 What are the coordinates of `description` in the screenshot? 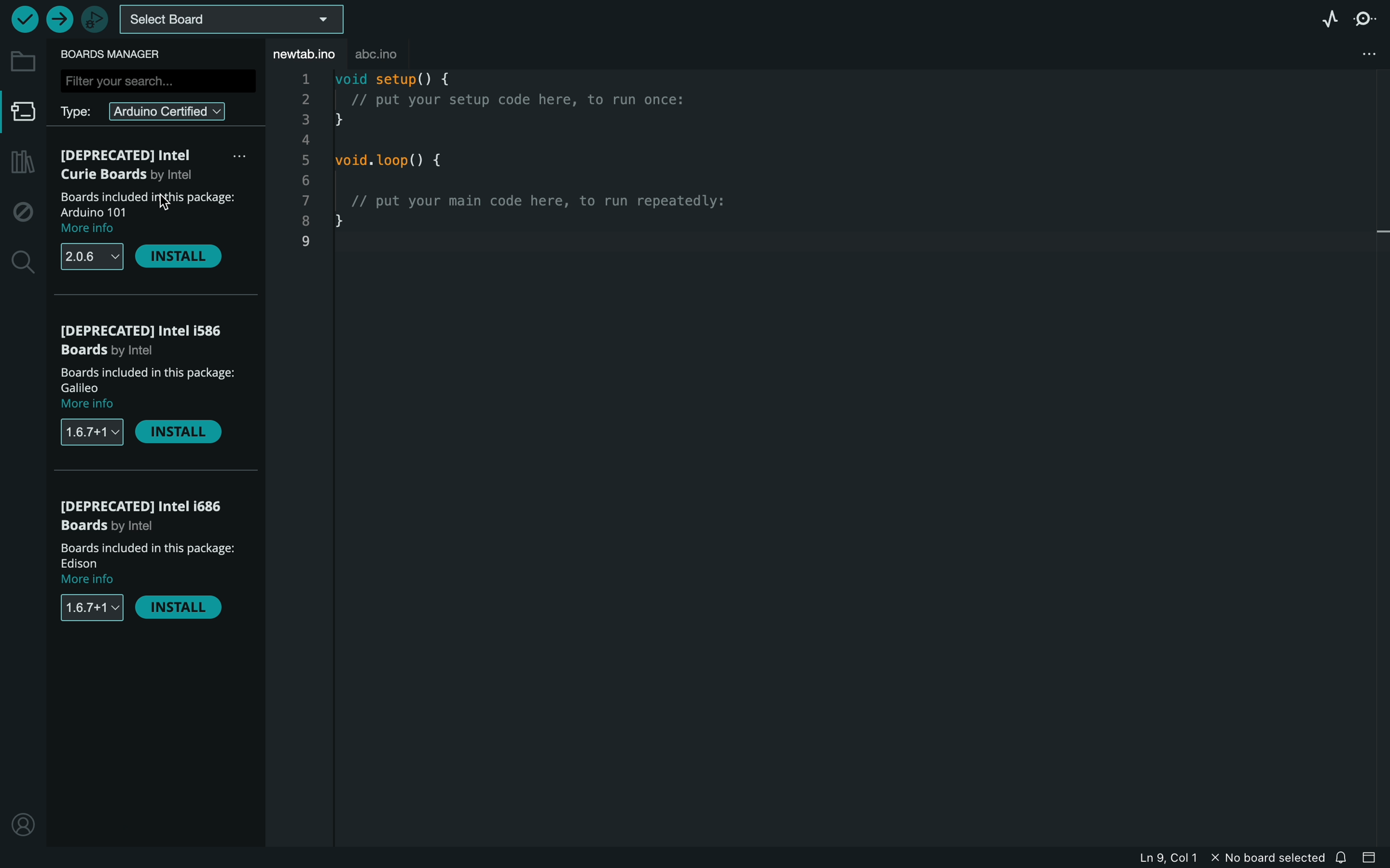 It's located at (150, 388).